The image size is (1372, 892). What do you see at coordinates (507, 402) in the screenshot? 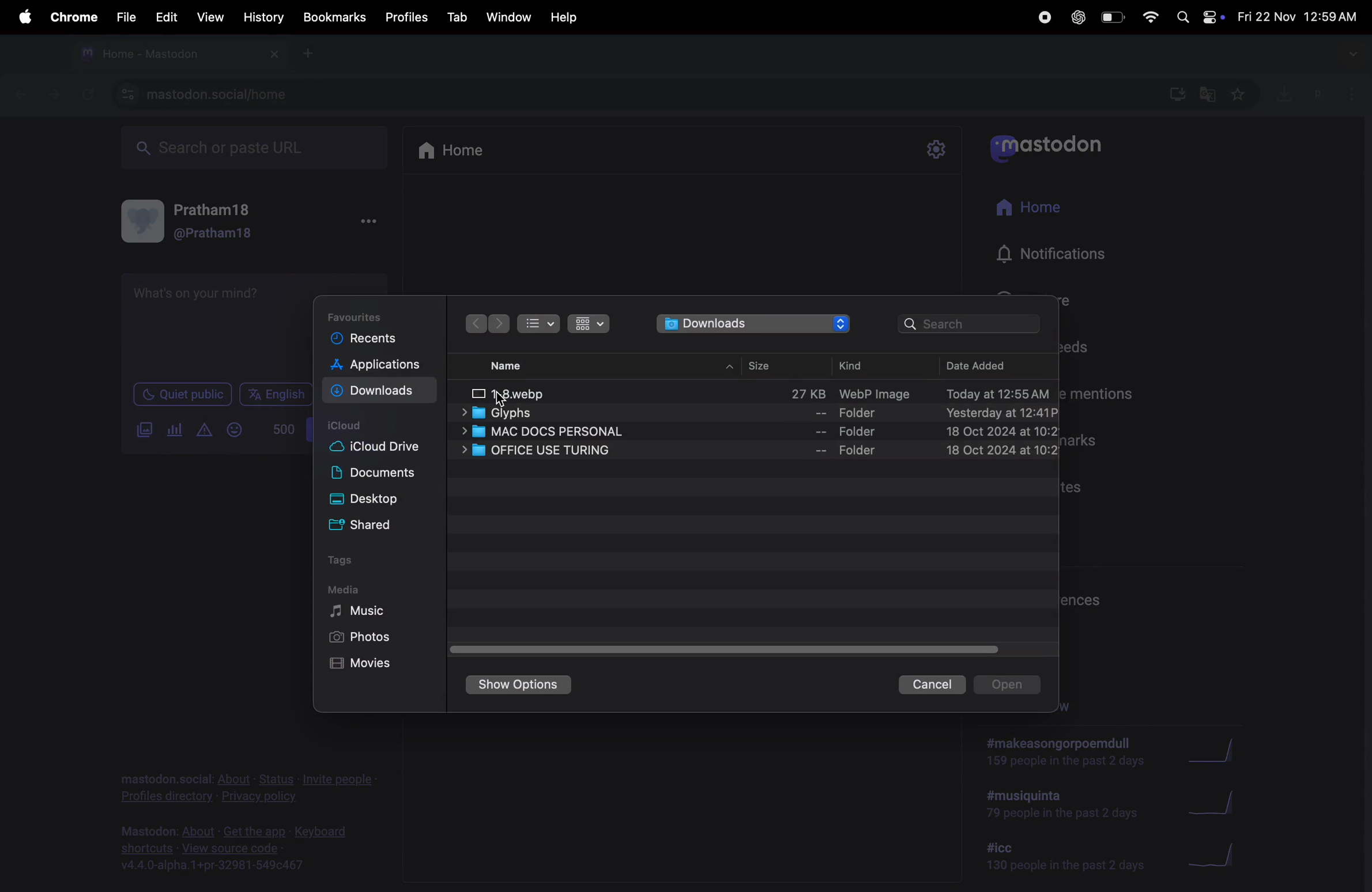
I see `cursor` at bounding box center [507, 402].